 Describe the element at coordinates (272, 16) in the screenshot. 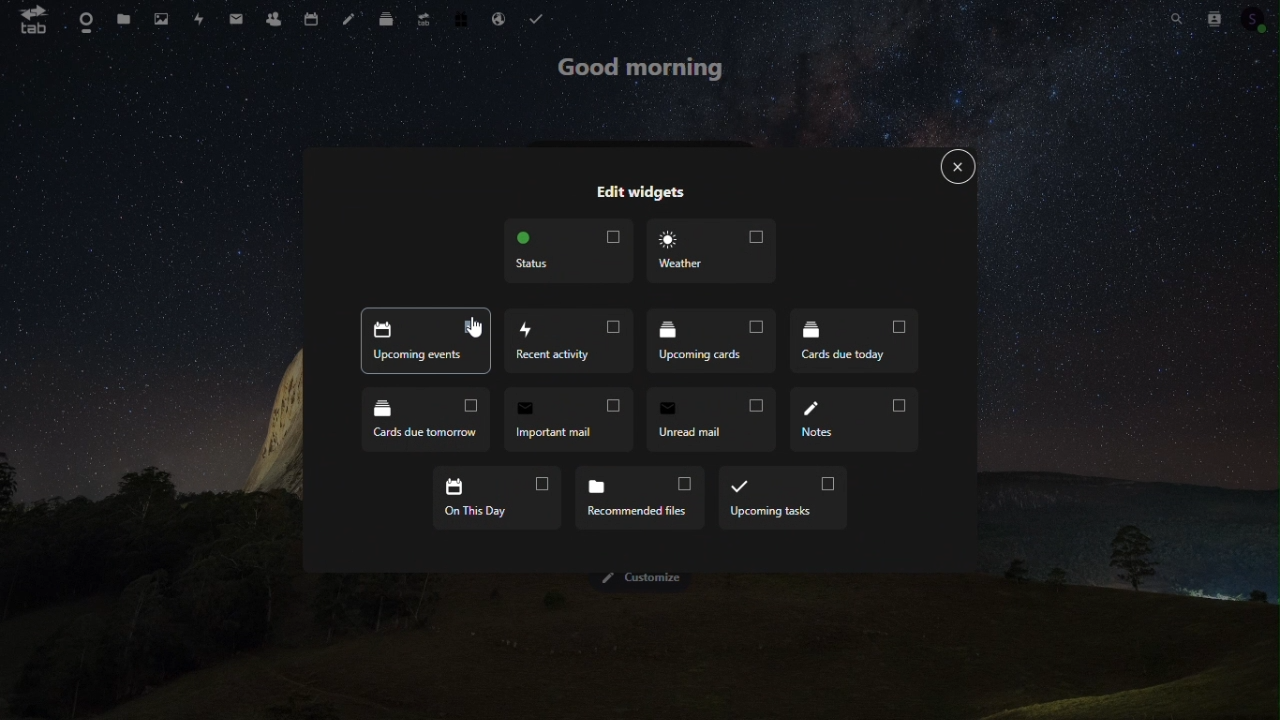

I see `Contacts ` at that location.